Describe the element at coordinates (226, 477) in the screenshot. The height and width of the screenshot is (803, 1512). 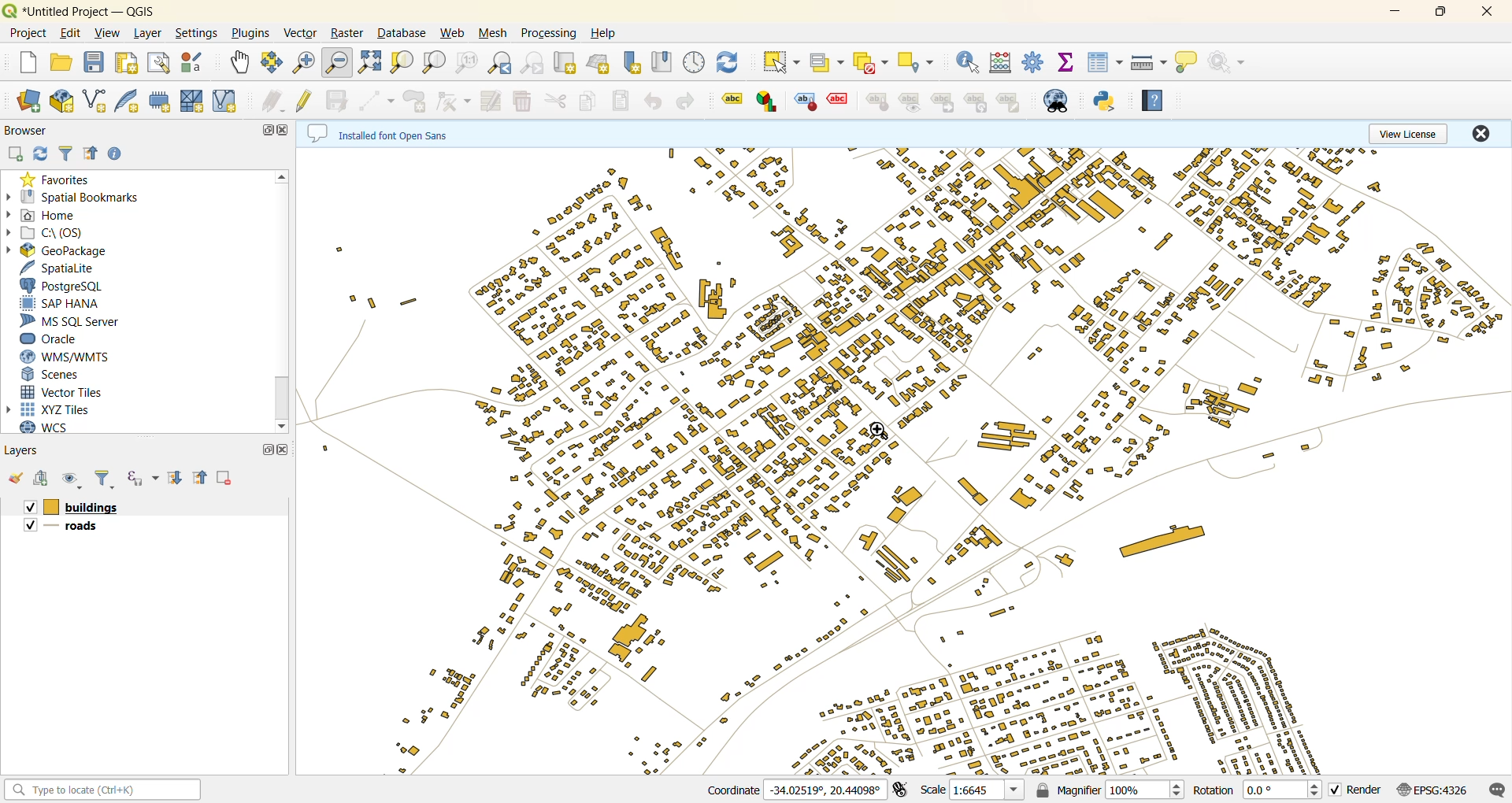
I see `delete layer` at that location.